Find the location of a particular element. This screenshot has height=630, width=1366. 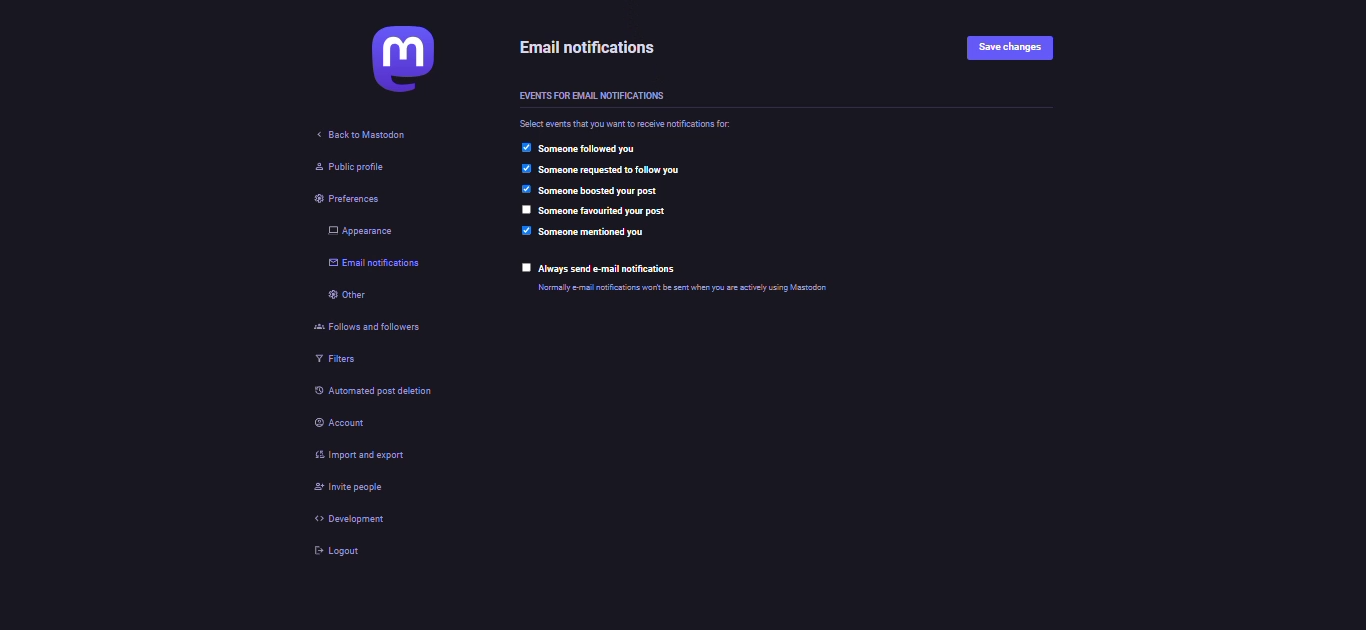

someone followed you is located at coordinates (598, 150).